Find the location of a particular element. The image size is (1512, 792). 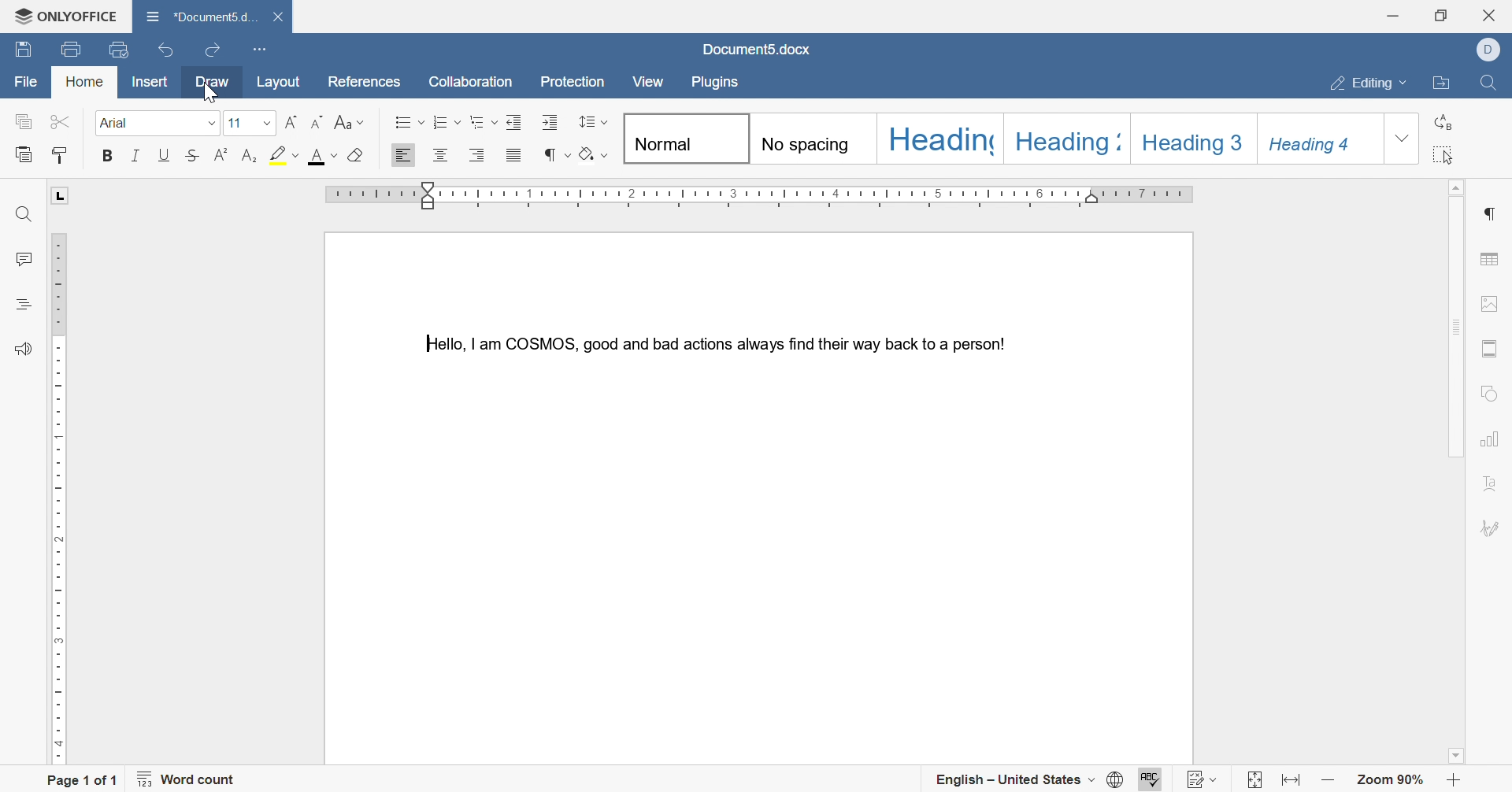

layout is located at coordinates (282, 83).